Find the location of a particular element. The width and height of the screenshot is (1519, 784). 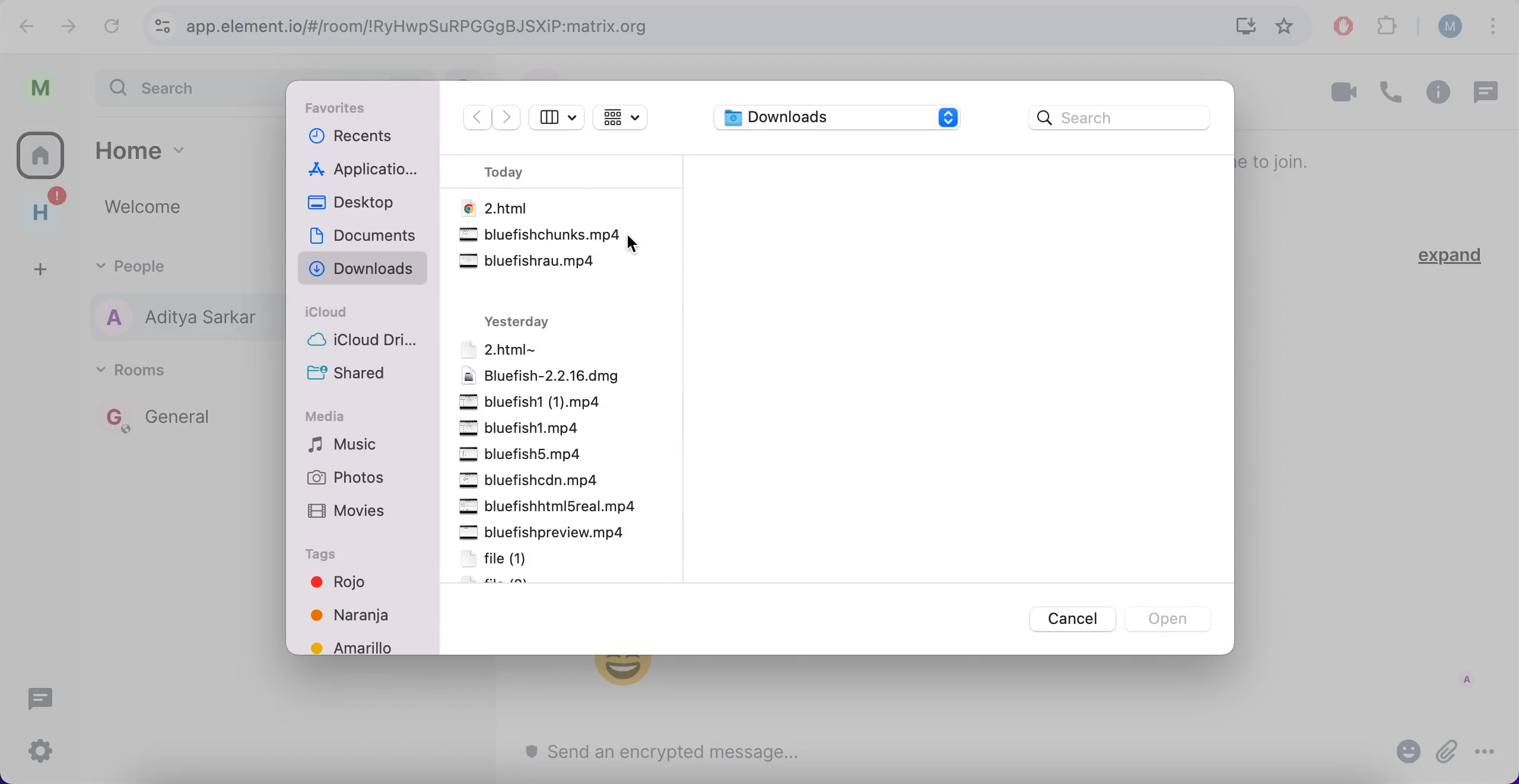

welcome is located at coordinates (190, 208).